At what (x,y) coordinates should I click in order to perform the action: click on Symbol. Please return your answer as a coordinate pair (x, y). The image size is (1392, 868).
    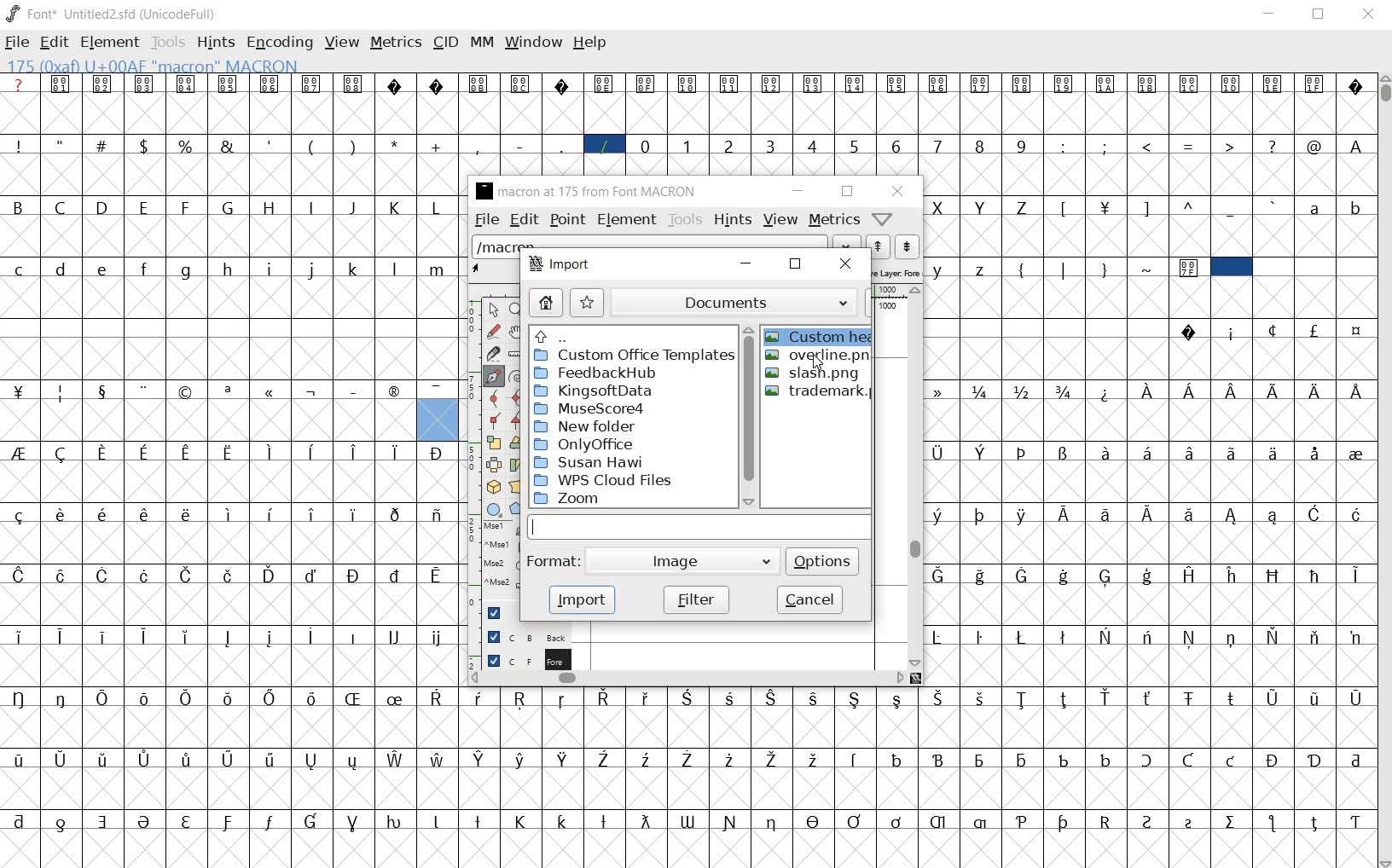
    Looking at the image, I should click on (105, 819).